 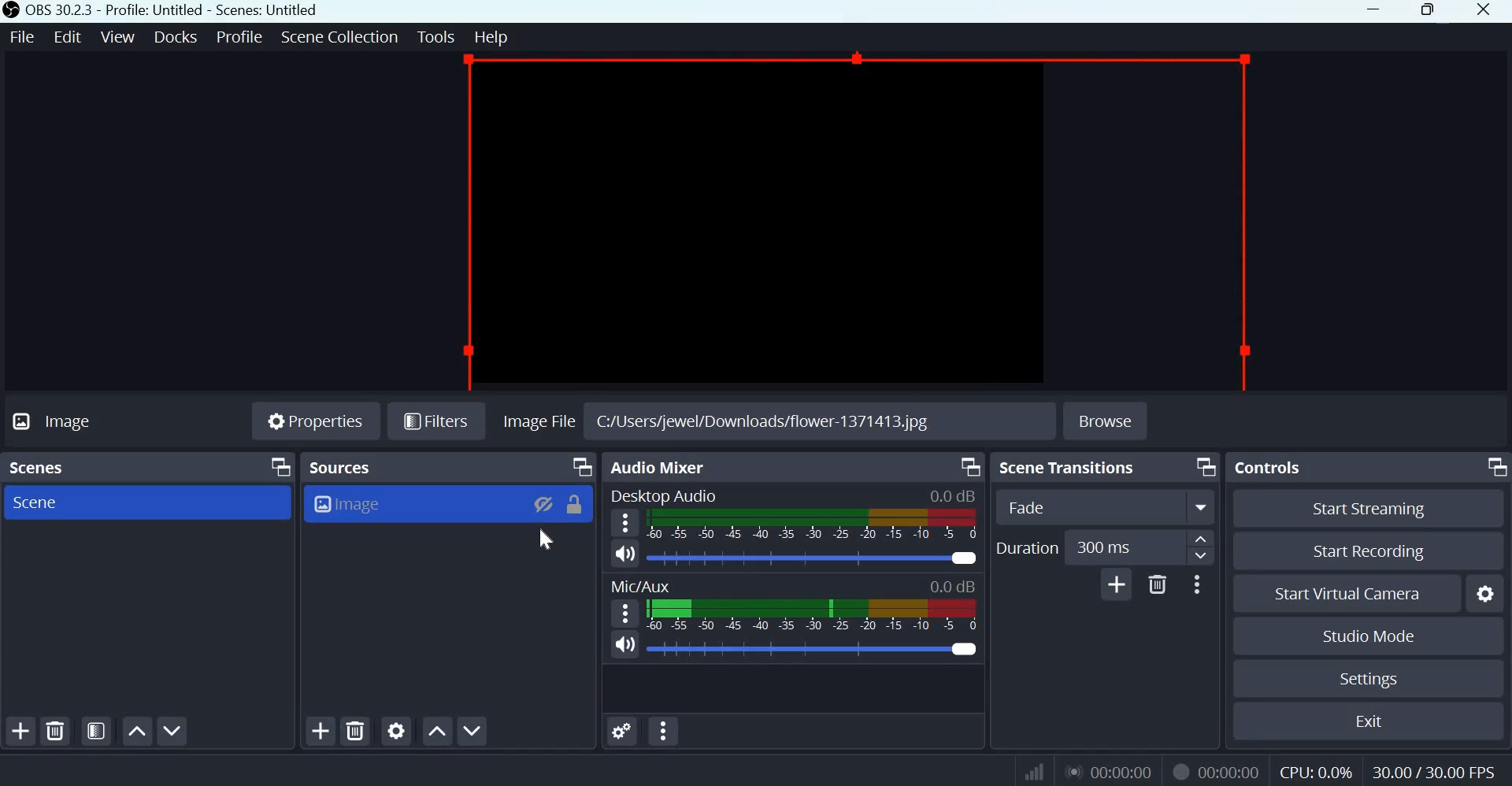 I want to click on View, so click(x=118, y=35).